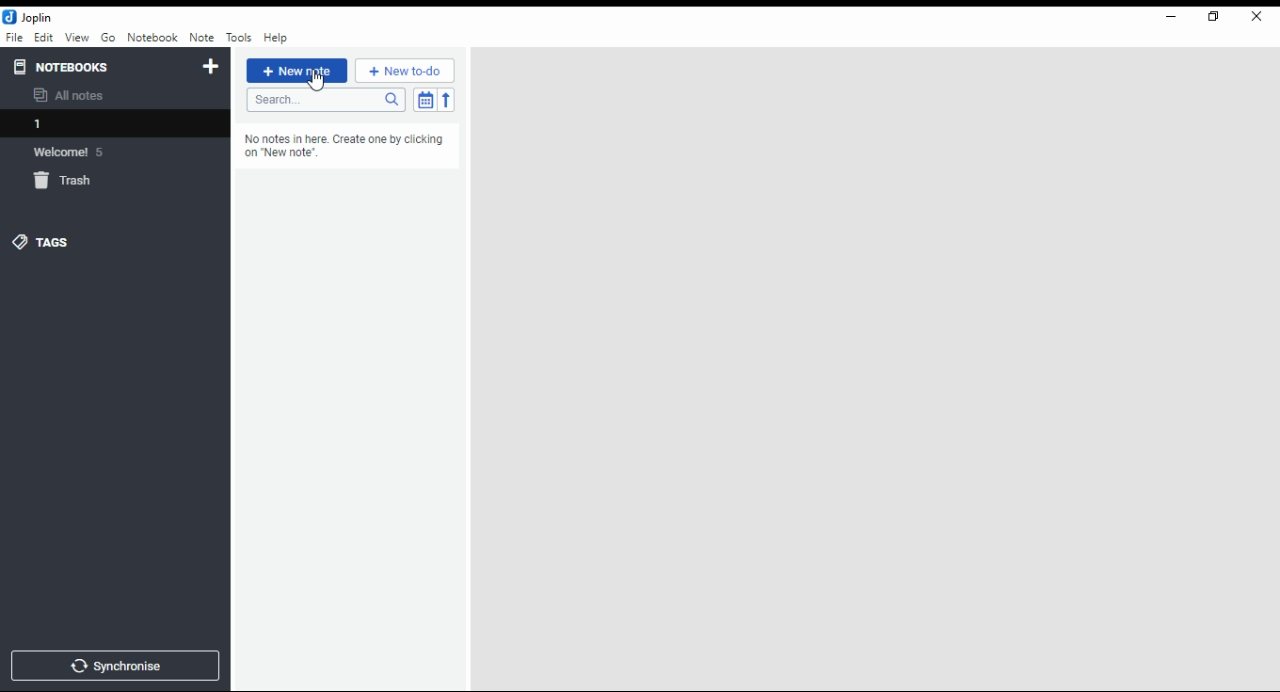 The width and height of the screenshot is (1280, 692). What do you see at coordinates (448, 99) in the screenshot?
I see `reverse sort order` at bounding box center [448, 99].